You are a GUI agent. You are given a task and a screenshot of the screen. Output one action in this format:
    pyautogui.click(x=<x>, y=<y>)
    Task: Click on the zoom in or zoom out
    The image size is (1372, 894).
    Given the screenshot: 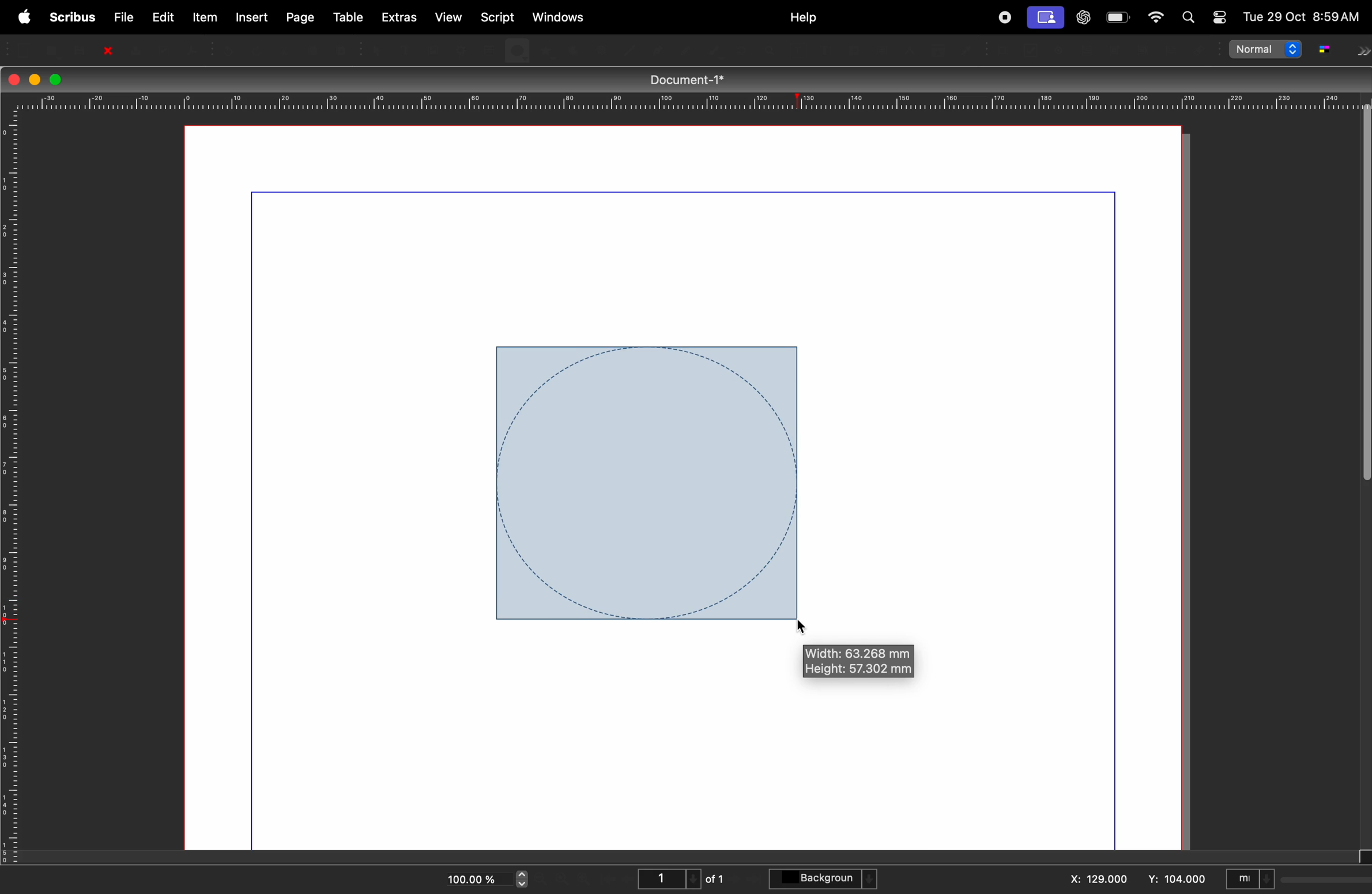 What is the action you would take?
    pyautogui.click(x=771, y=51)
    